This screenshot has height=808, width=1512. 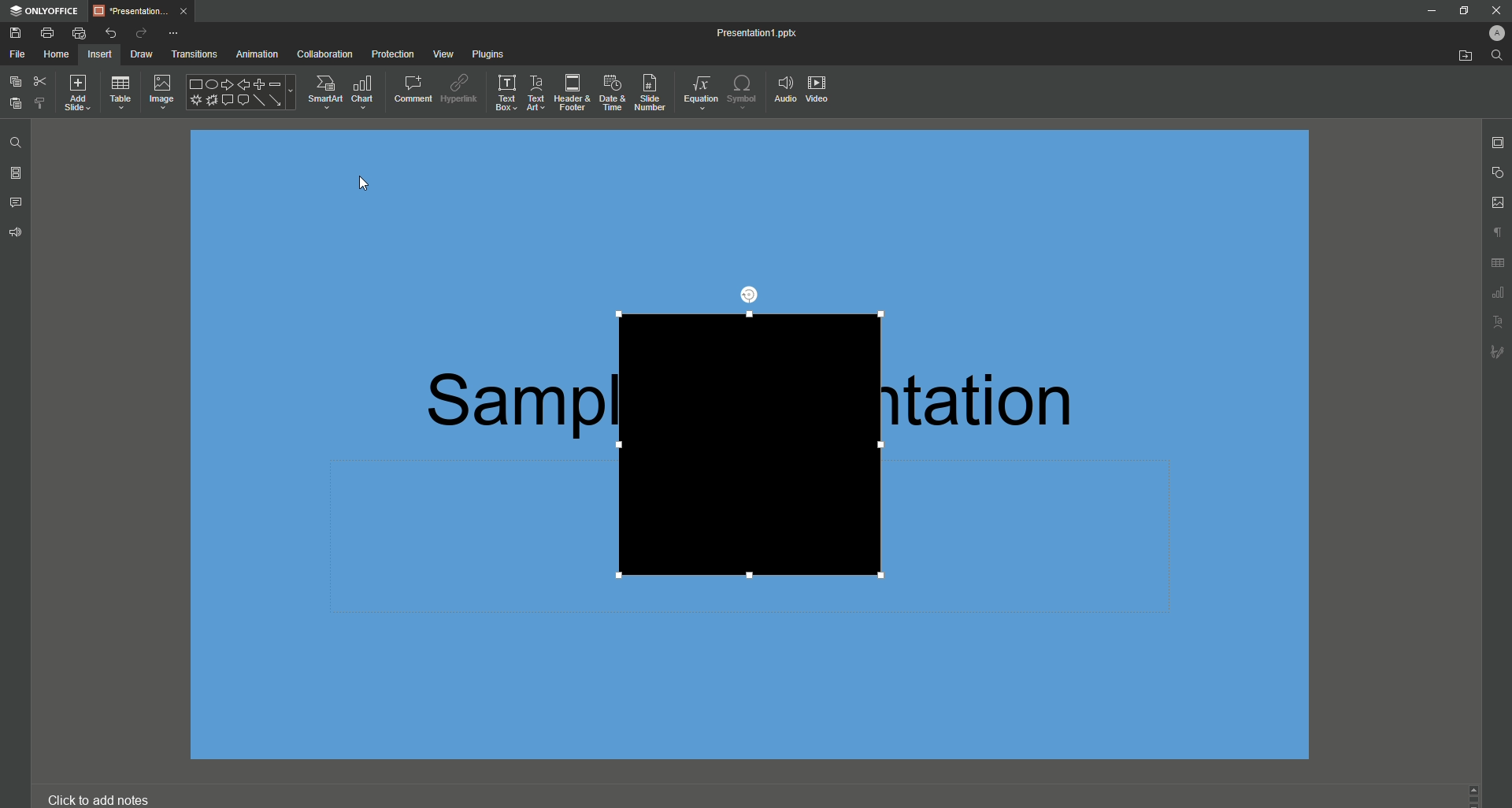 I want to click on Minimize, so click(x=1429, y=12).